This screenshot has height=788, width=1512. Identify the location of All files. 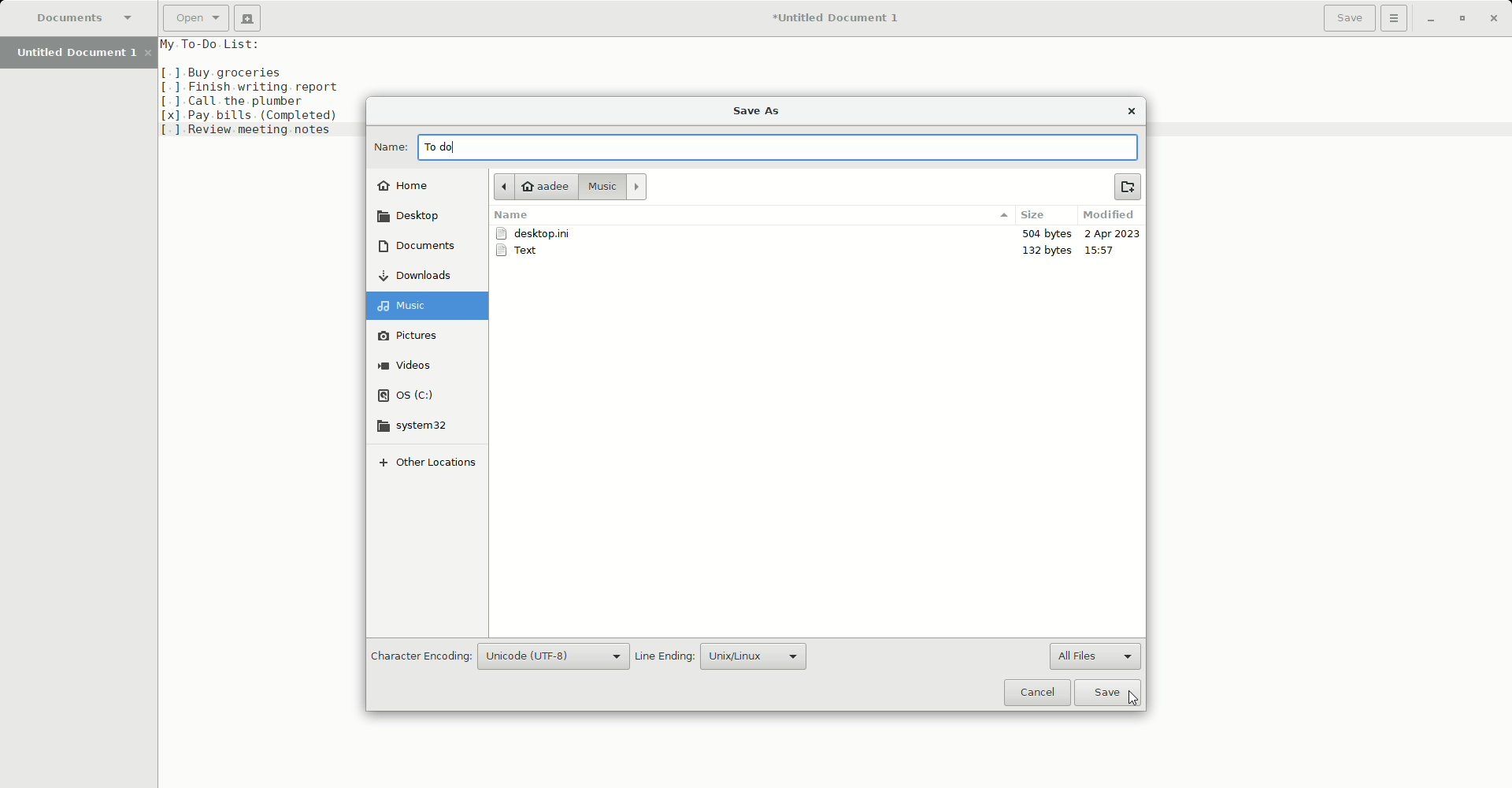
(1095, 656).